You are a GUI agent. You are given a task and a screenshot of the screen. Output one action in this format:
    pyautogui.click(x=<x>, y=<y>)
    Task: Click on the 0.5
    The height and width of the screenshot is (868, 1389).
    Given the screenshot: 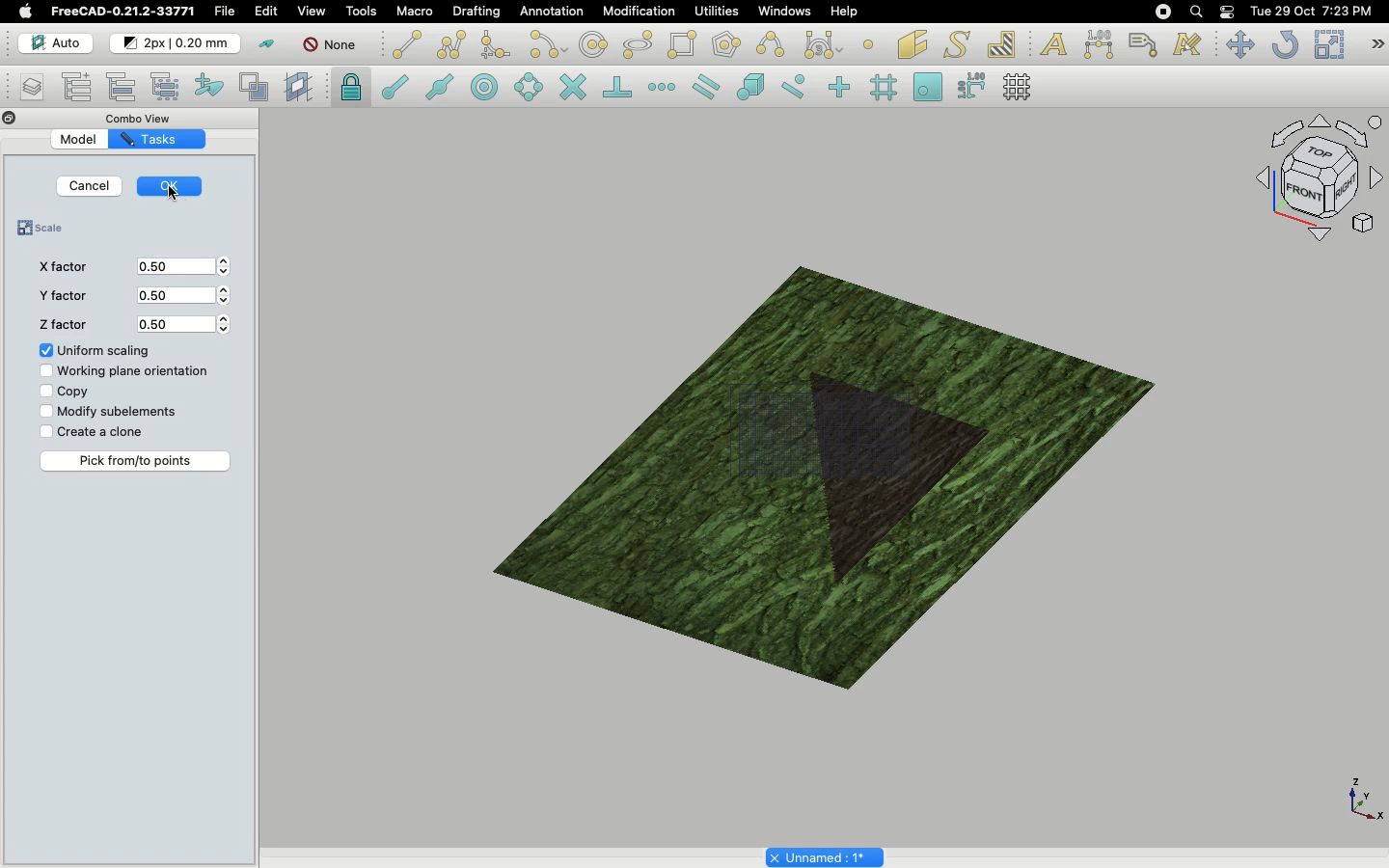 What is the action you would take?
    pyautogui.click(x=185, y=296)
    